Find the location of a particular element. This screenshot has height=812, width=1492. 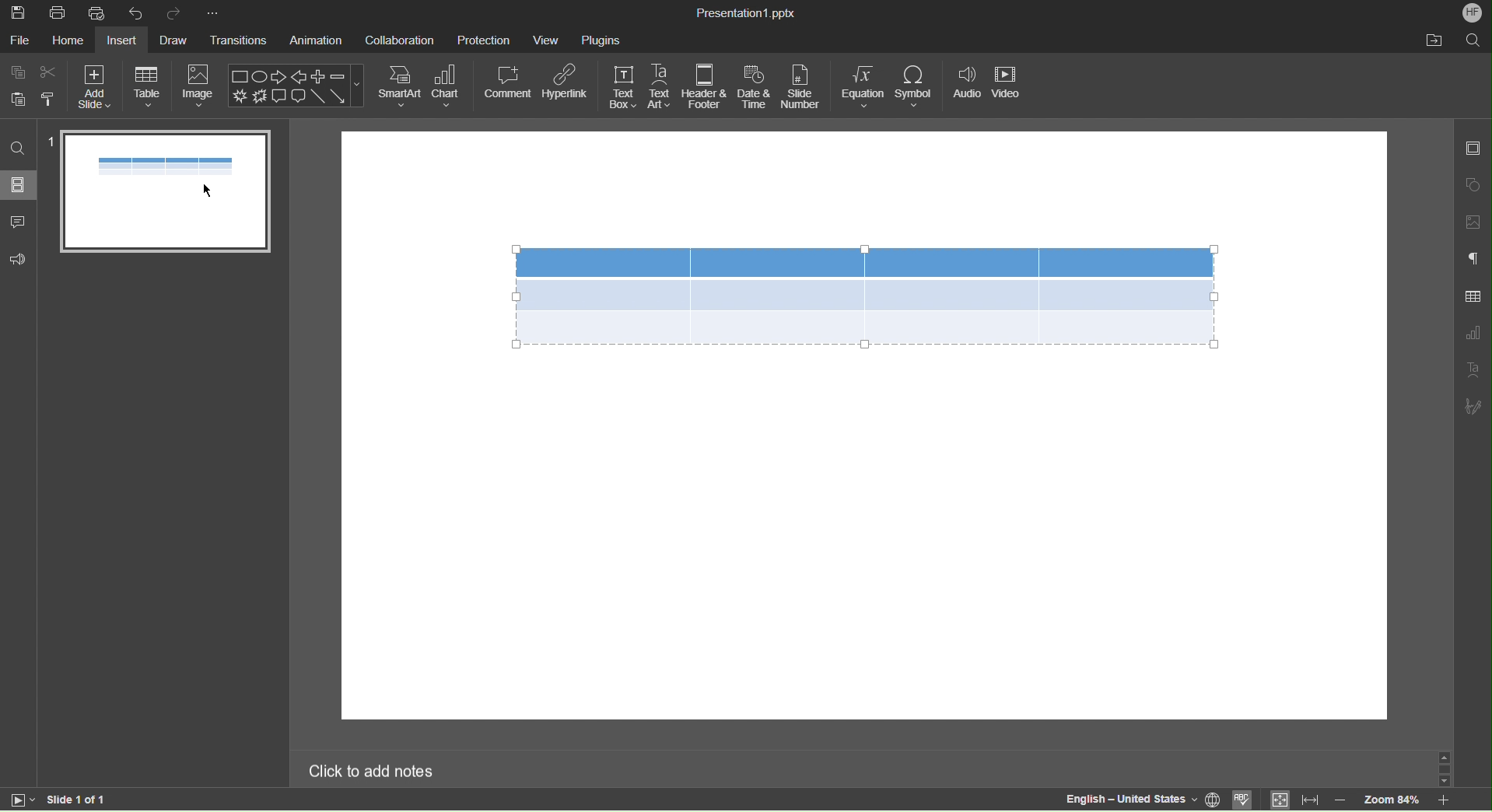

Hyperlink is located at coordinates (568, 84).